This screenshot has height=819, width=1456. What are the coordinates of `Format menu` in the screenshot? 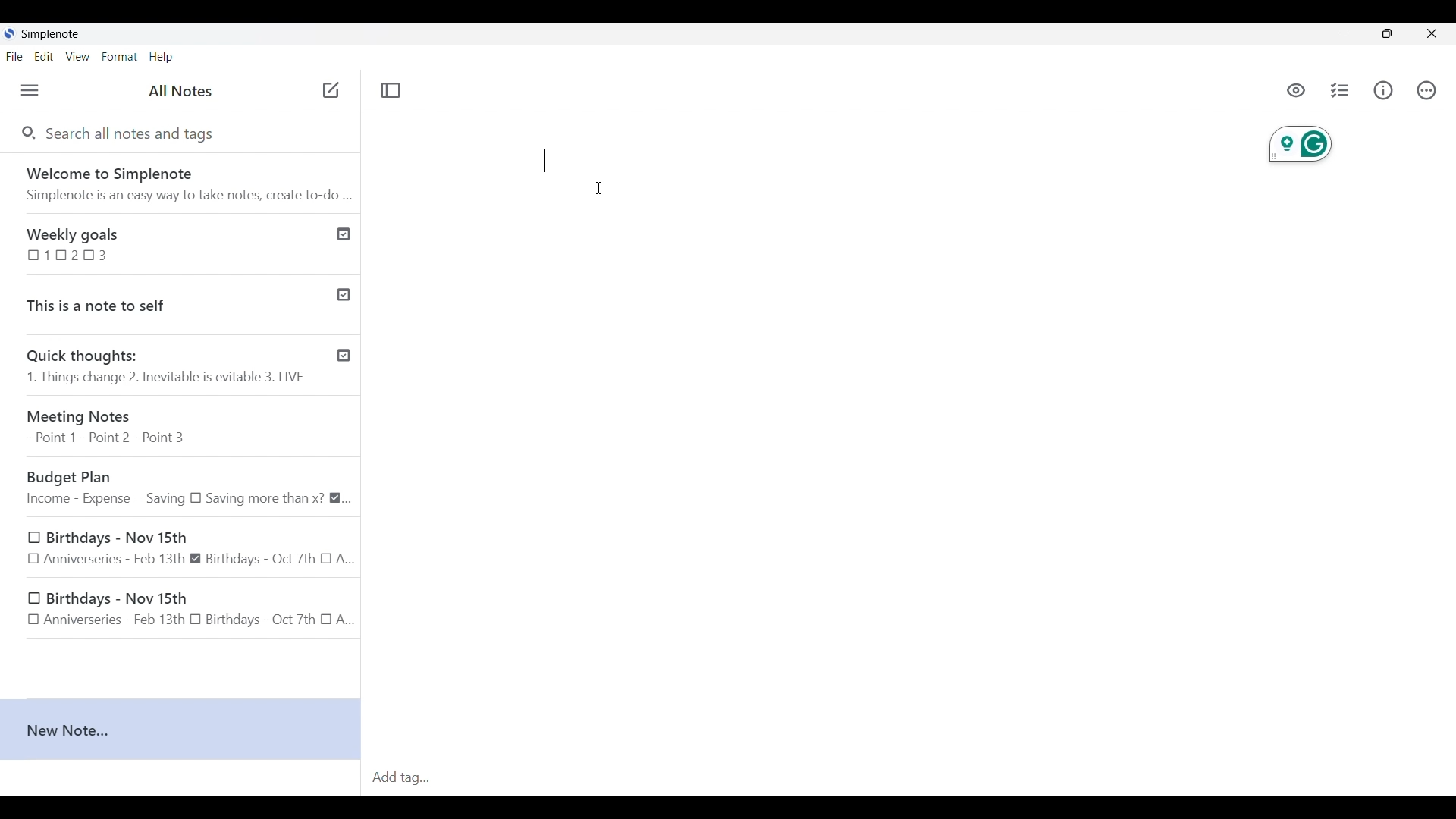 It's located at (119, 57).